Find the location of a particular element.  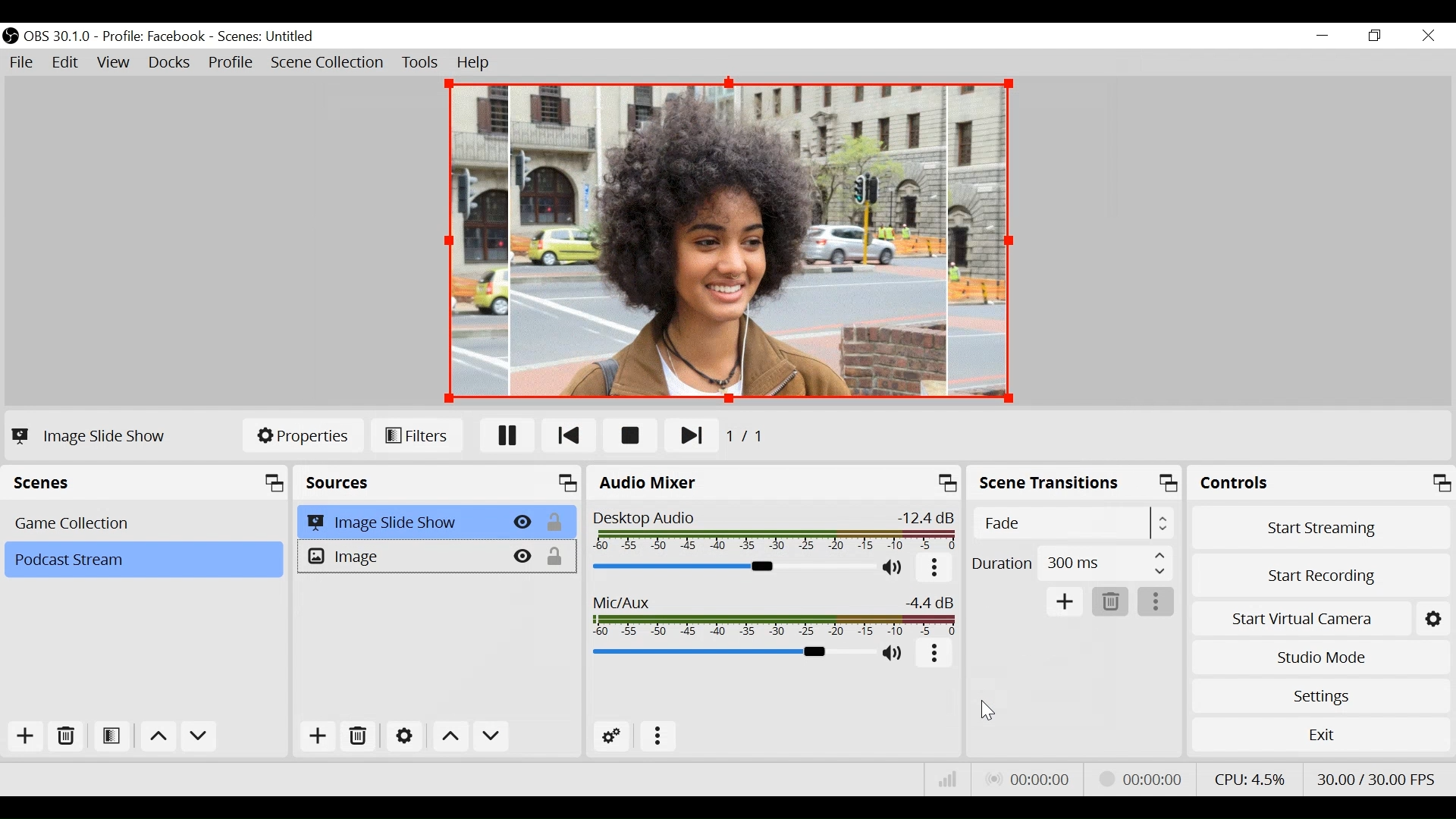

Help is located at coordinates (474, 63).